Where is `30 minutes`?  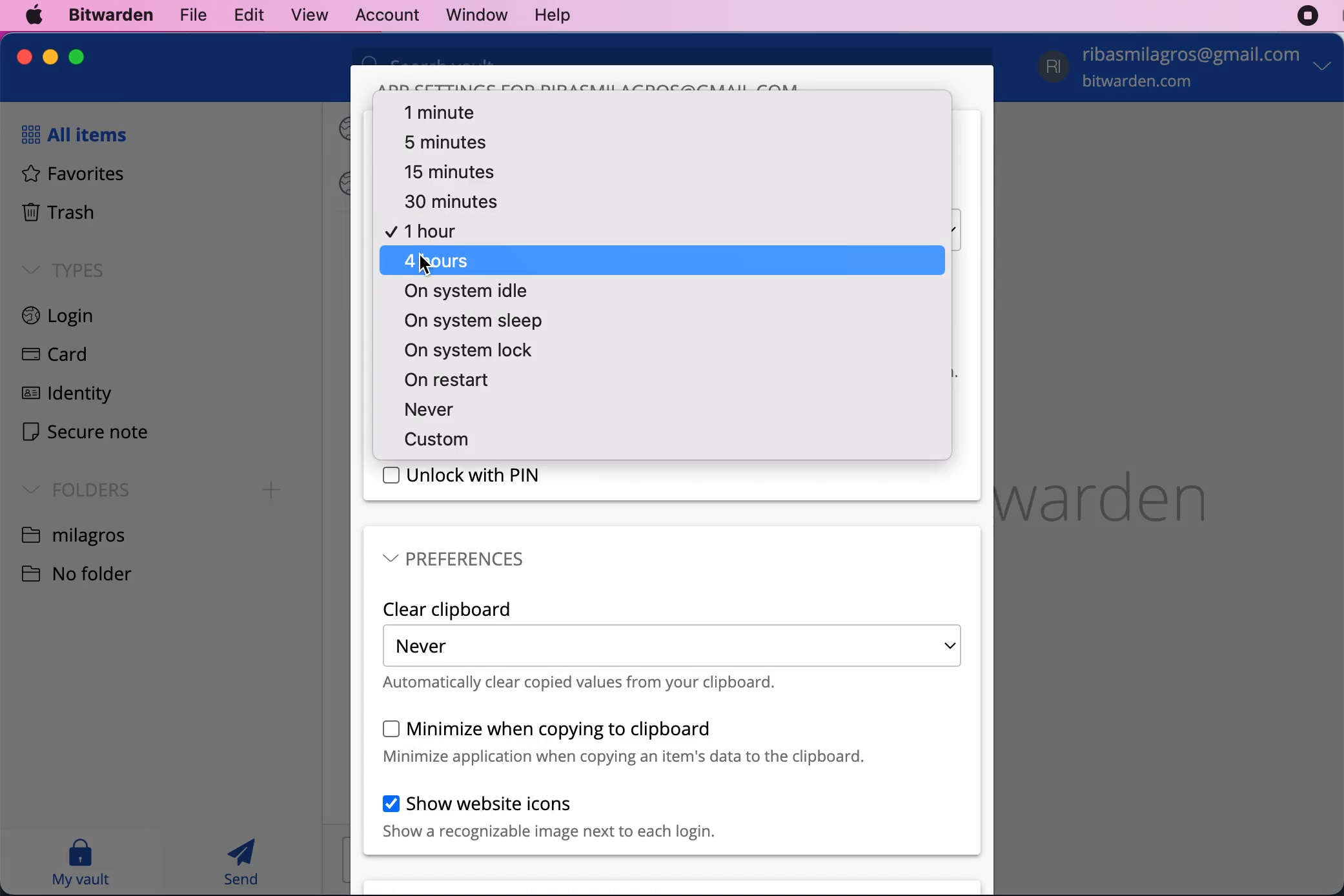 30 minutes is located at coordinates (456, 202).